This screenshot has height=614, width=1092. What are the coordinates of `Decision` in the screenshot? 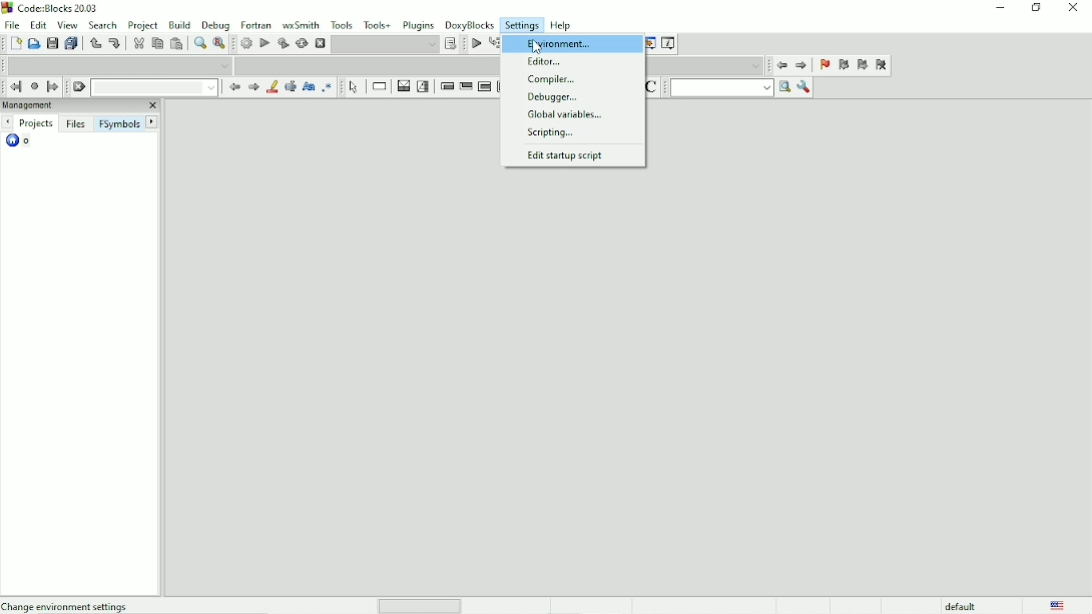 It's located at (404, 86).